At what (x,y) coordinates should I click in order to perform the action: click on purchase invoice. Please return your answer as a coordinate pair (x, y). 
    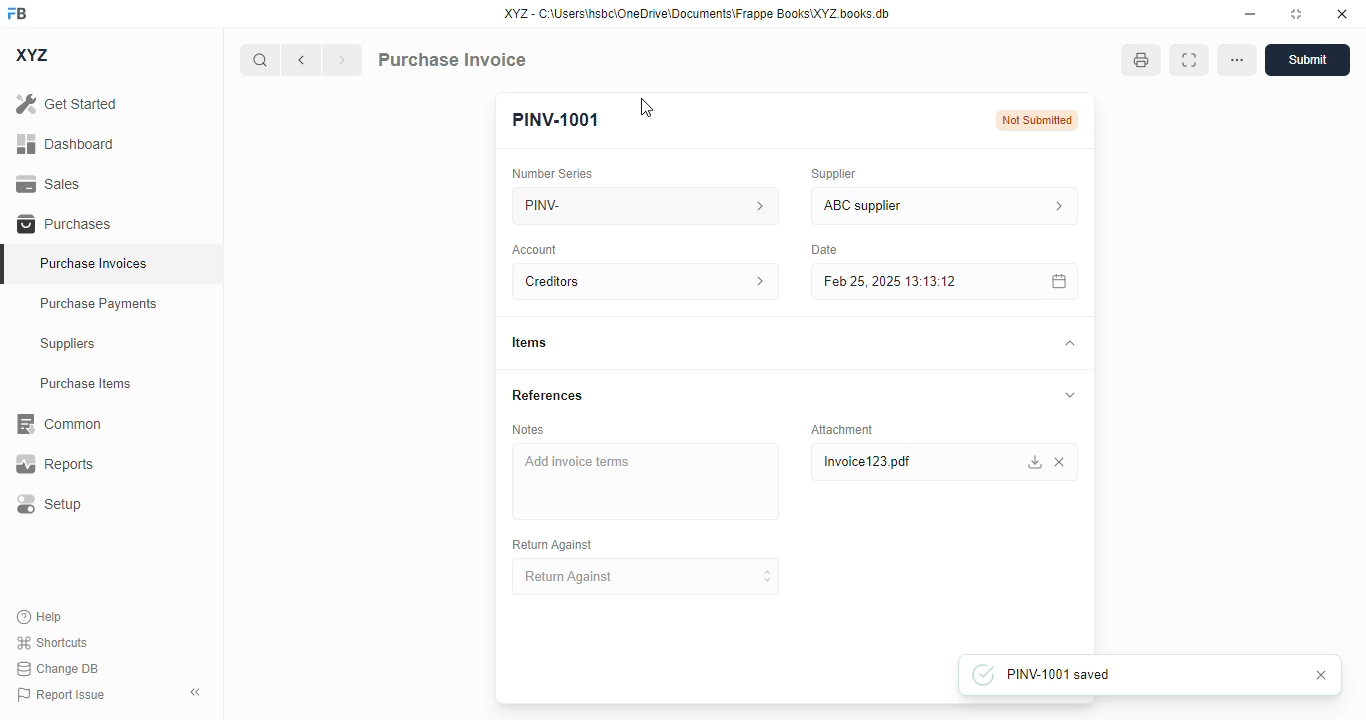
    Looking at the image, I should click on (451, 59).